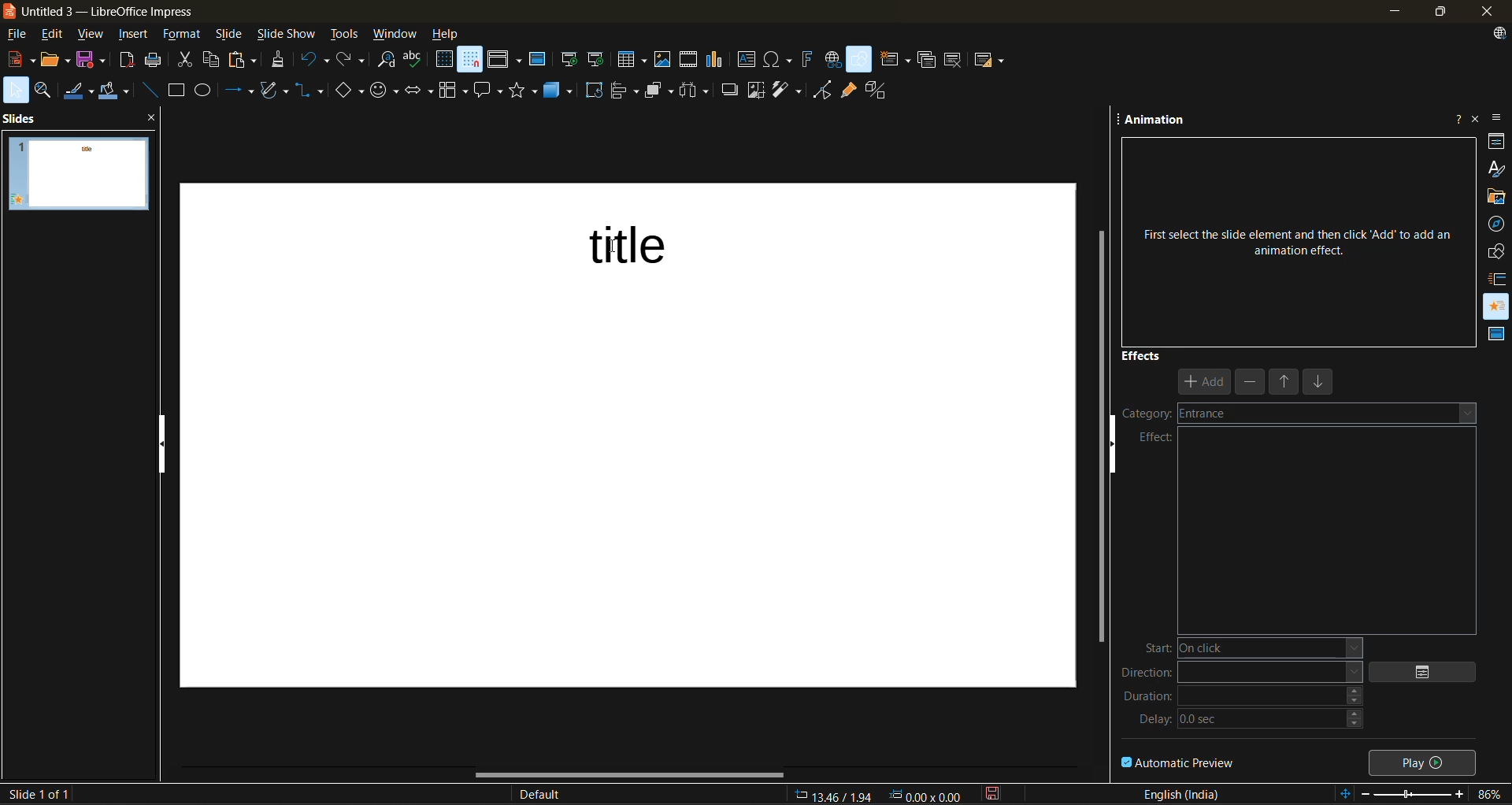 This screenshot has width=1512, height=805. I want to click on help, so click(447, 35).